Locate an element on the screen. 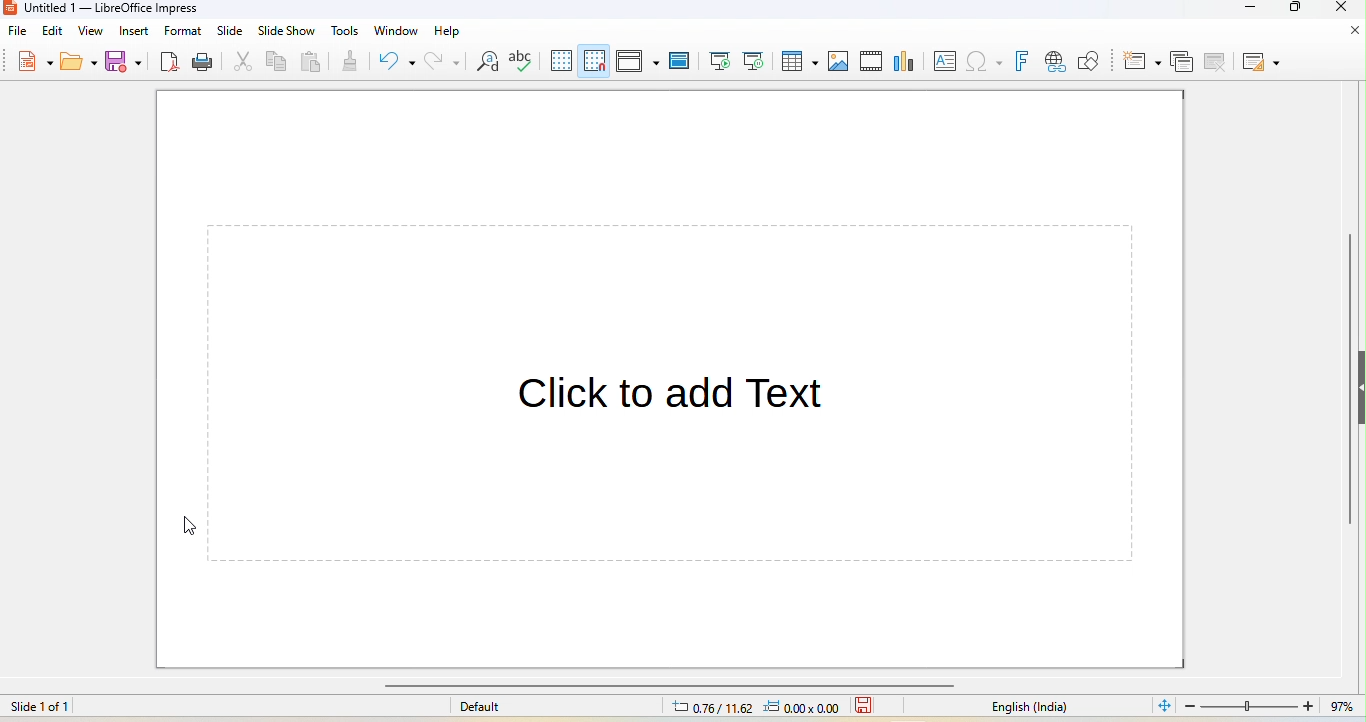 The image size is (1366, 722). close is located at coordinates (1353, 32).